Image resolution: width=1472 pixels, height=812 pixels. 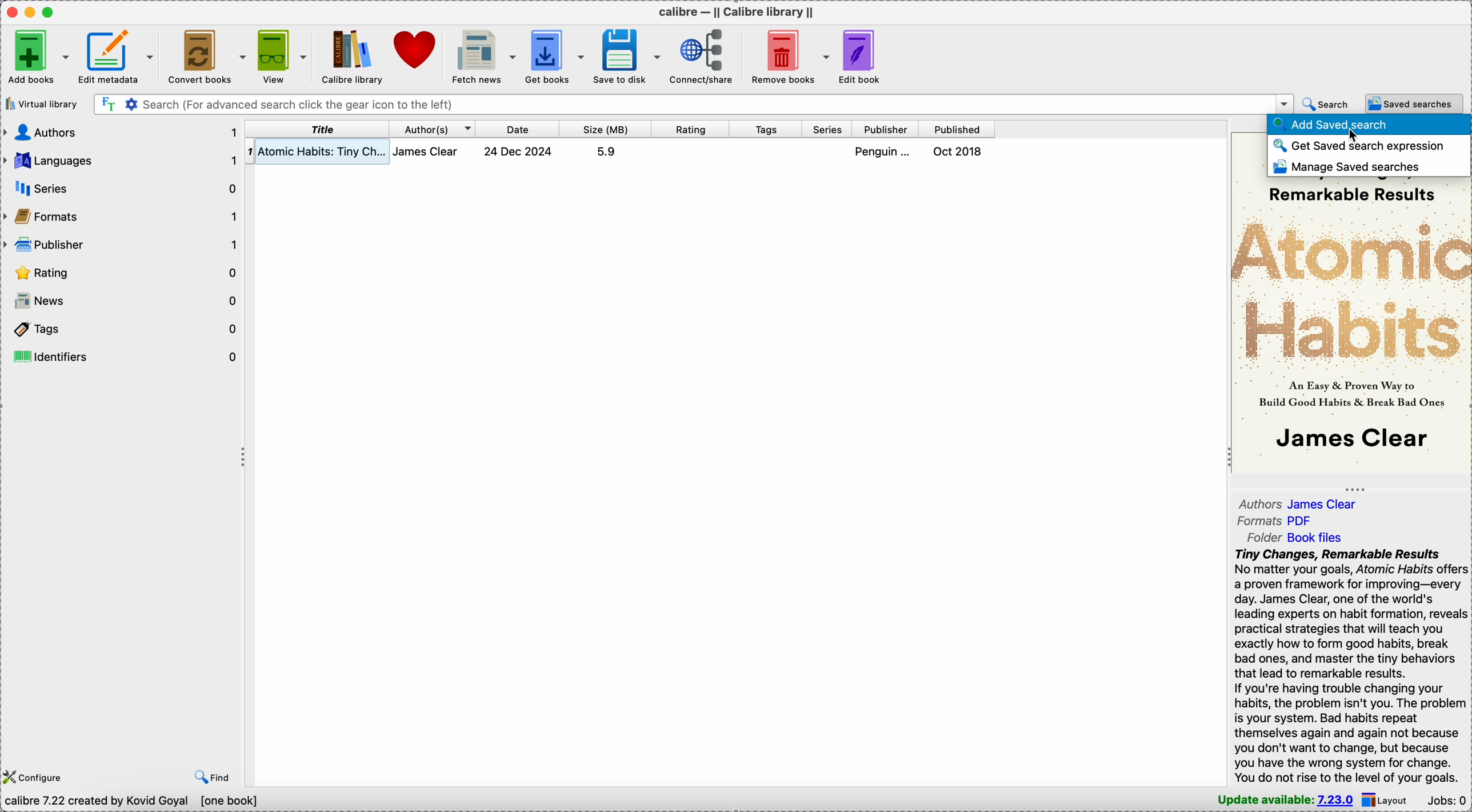 What do you see at coordinates (693, 103) in the screenshot?
I see `search(for advanced search click the gear icon to the left)` at bounding box center [693, 103].